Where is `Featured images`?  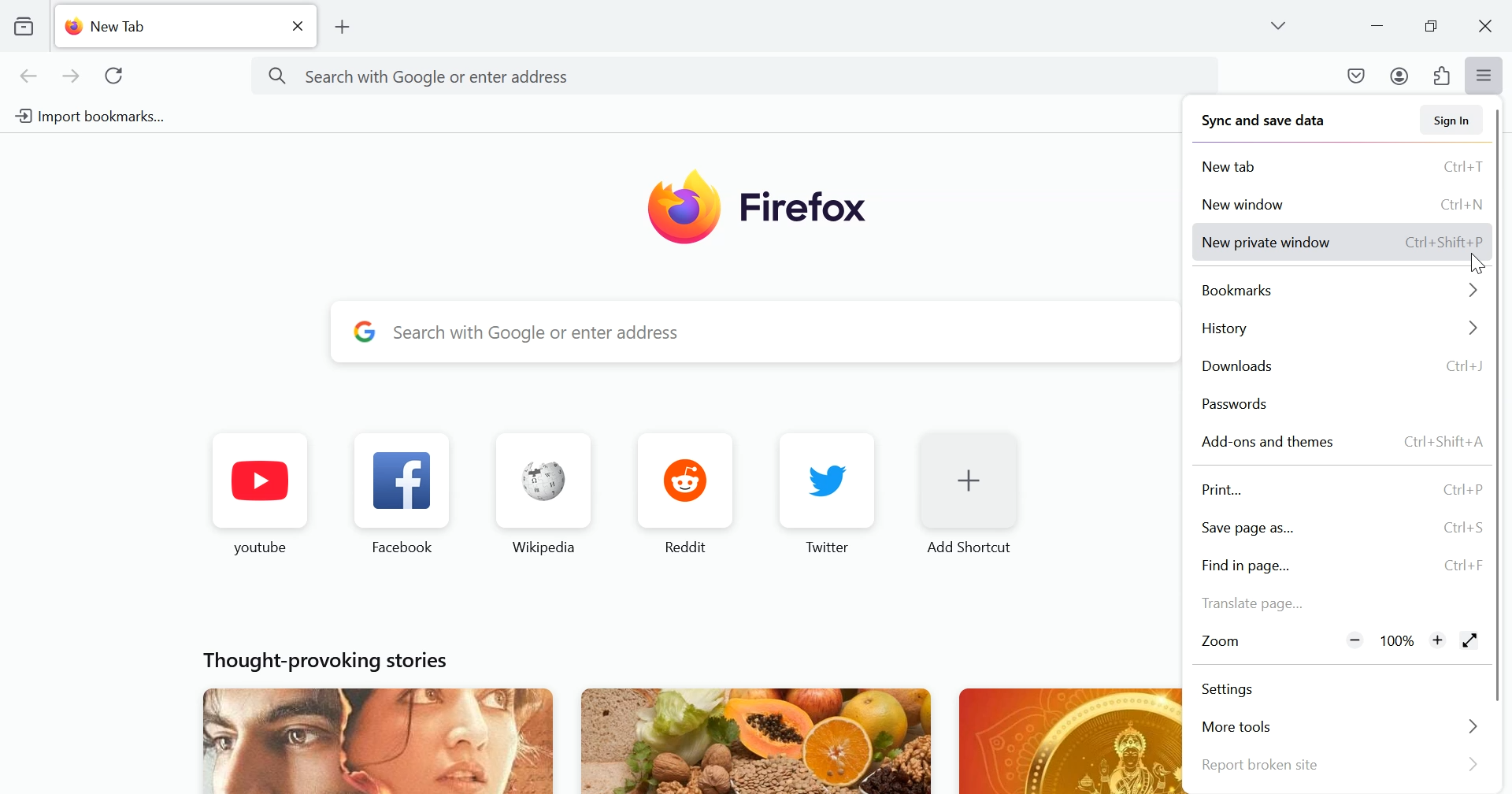
Featured images is located at coordinates (656, 738).